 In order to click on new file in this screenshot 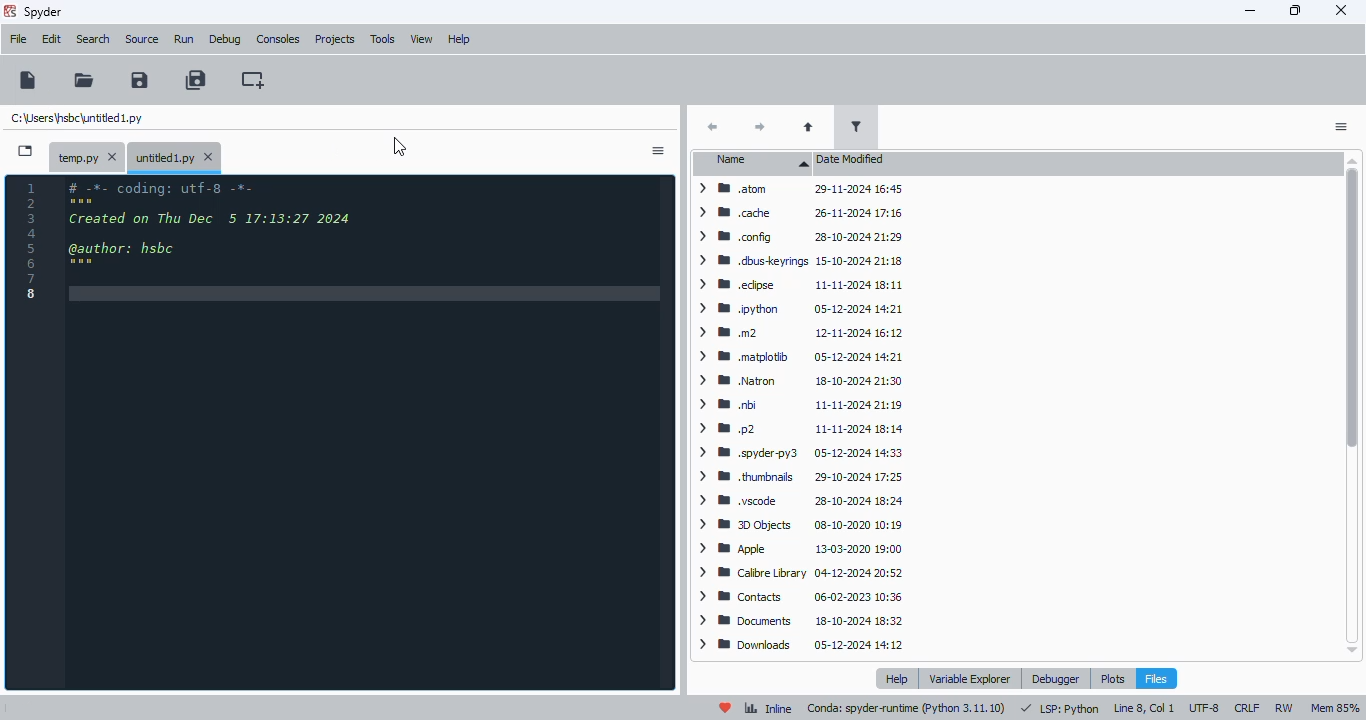, I will do `click(29, 80)`.